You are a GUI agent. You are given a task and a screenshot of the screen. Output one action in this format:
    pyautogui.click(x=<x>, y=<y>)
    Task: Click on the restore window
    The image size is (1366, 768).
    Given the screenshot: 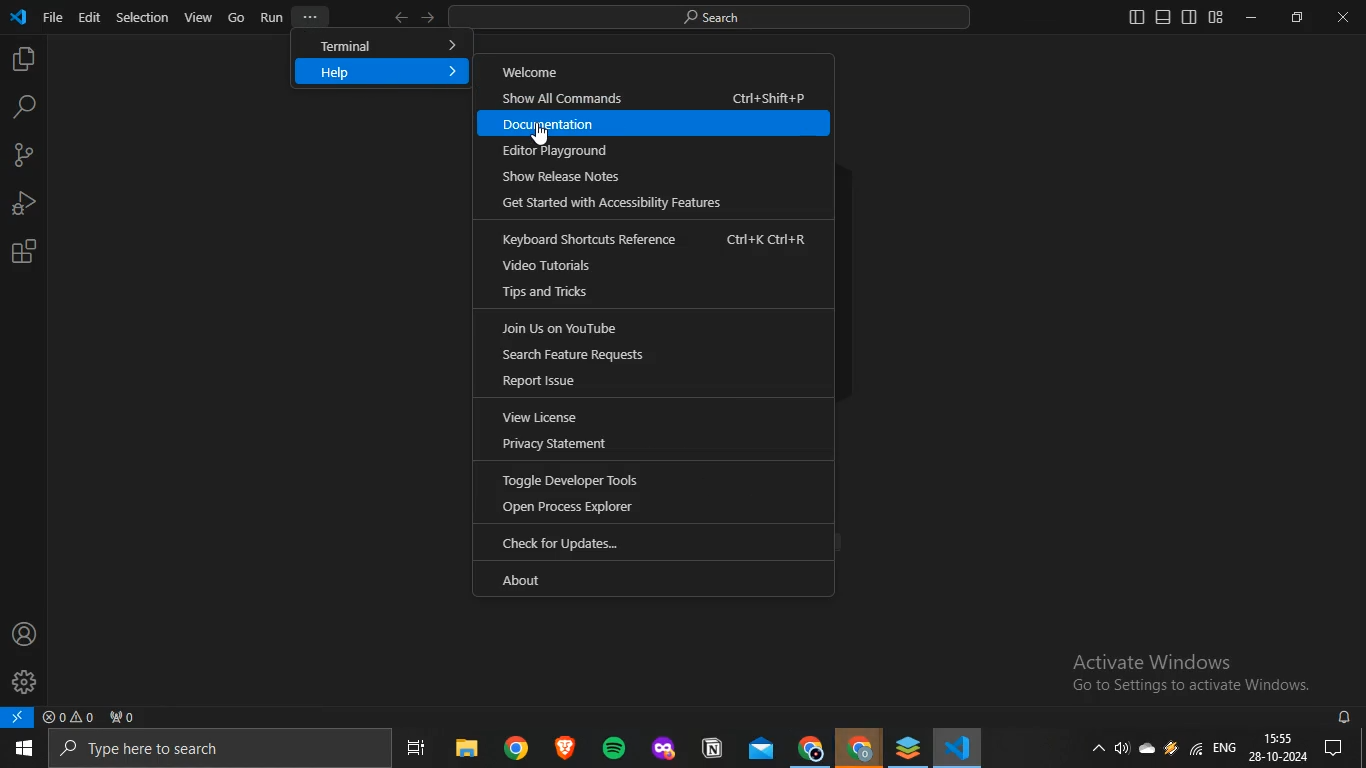 What is the action you would take?
    pyautogui.click(x=1297, y=16)
    